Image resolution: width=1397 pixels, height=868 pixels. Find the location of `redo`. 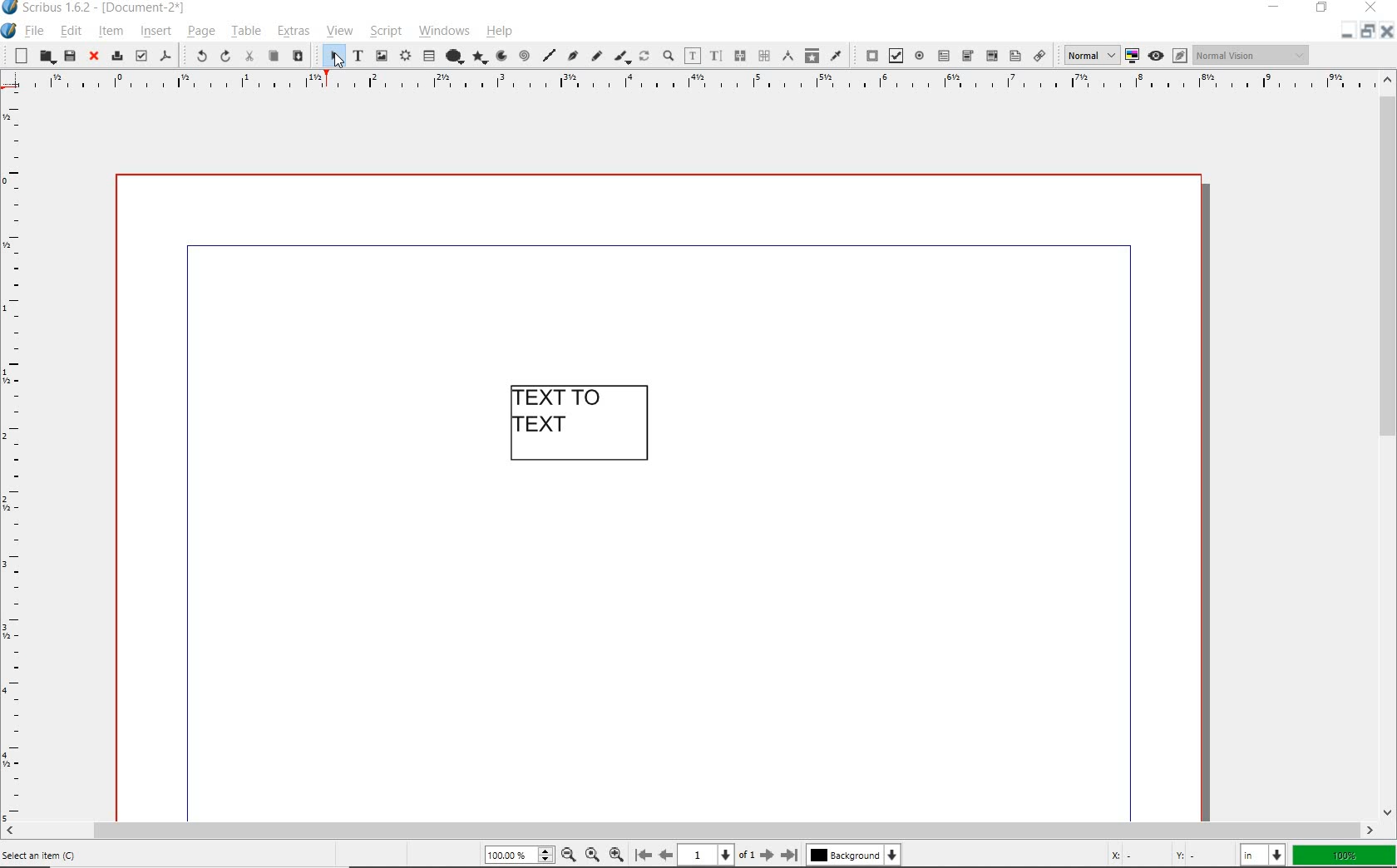

redo is located at coordinates (224, 57).